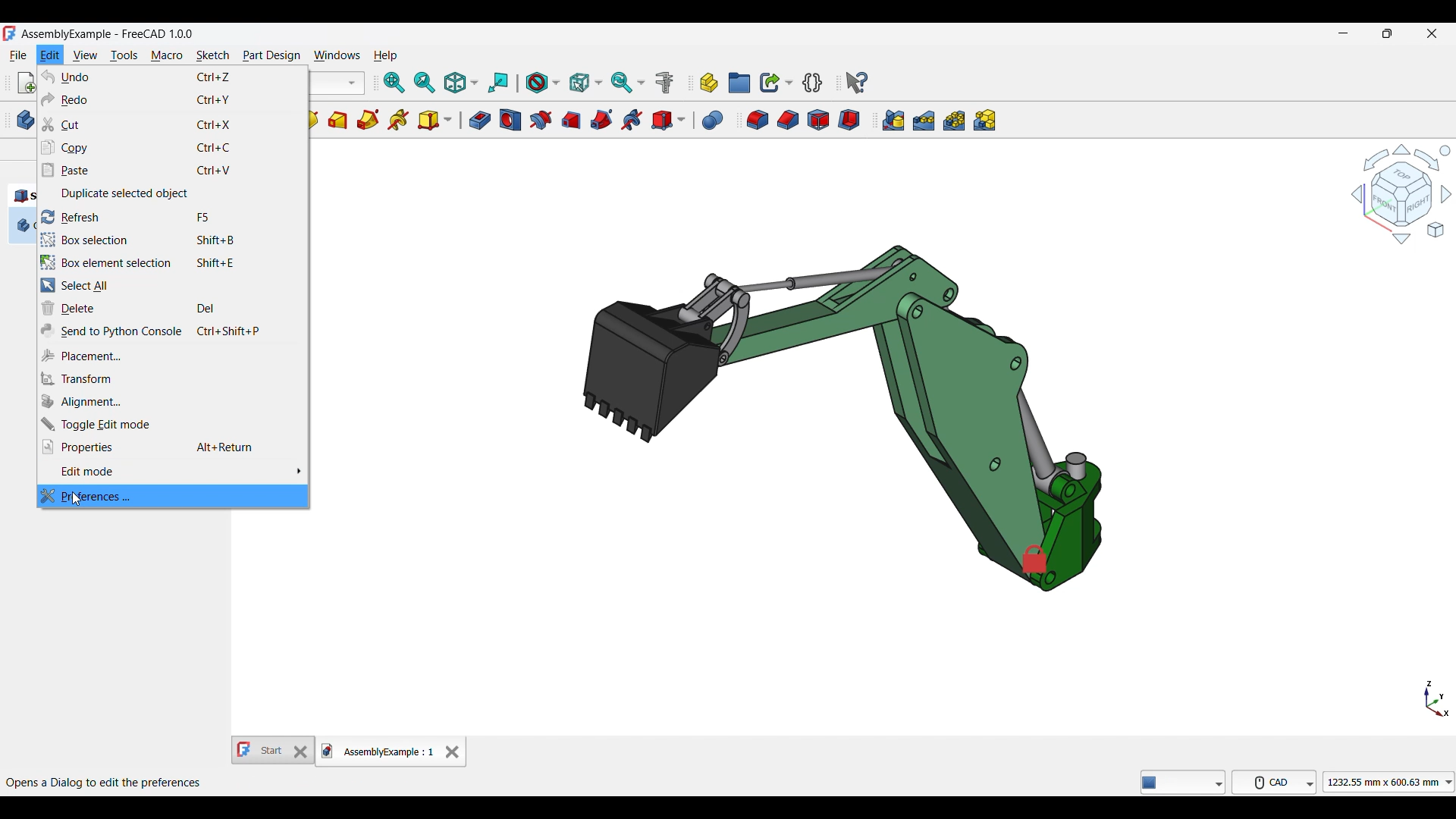  I want to click on Copy, so click(172, 148).